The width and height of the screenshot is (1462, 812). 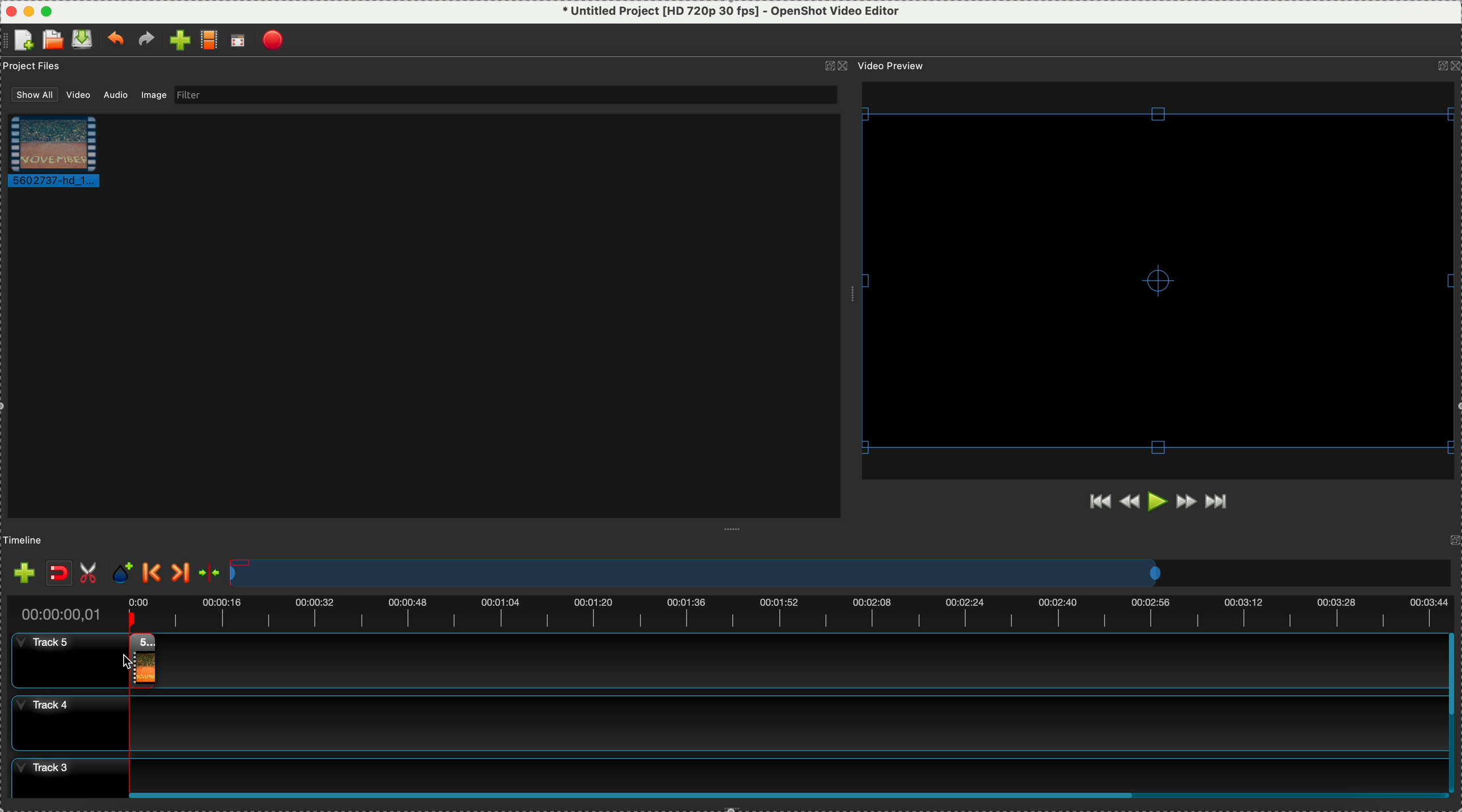 I want to click on fast forward, so click(x=1186, y=504).